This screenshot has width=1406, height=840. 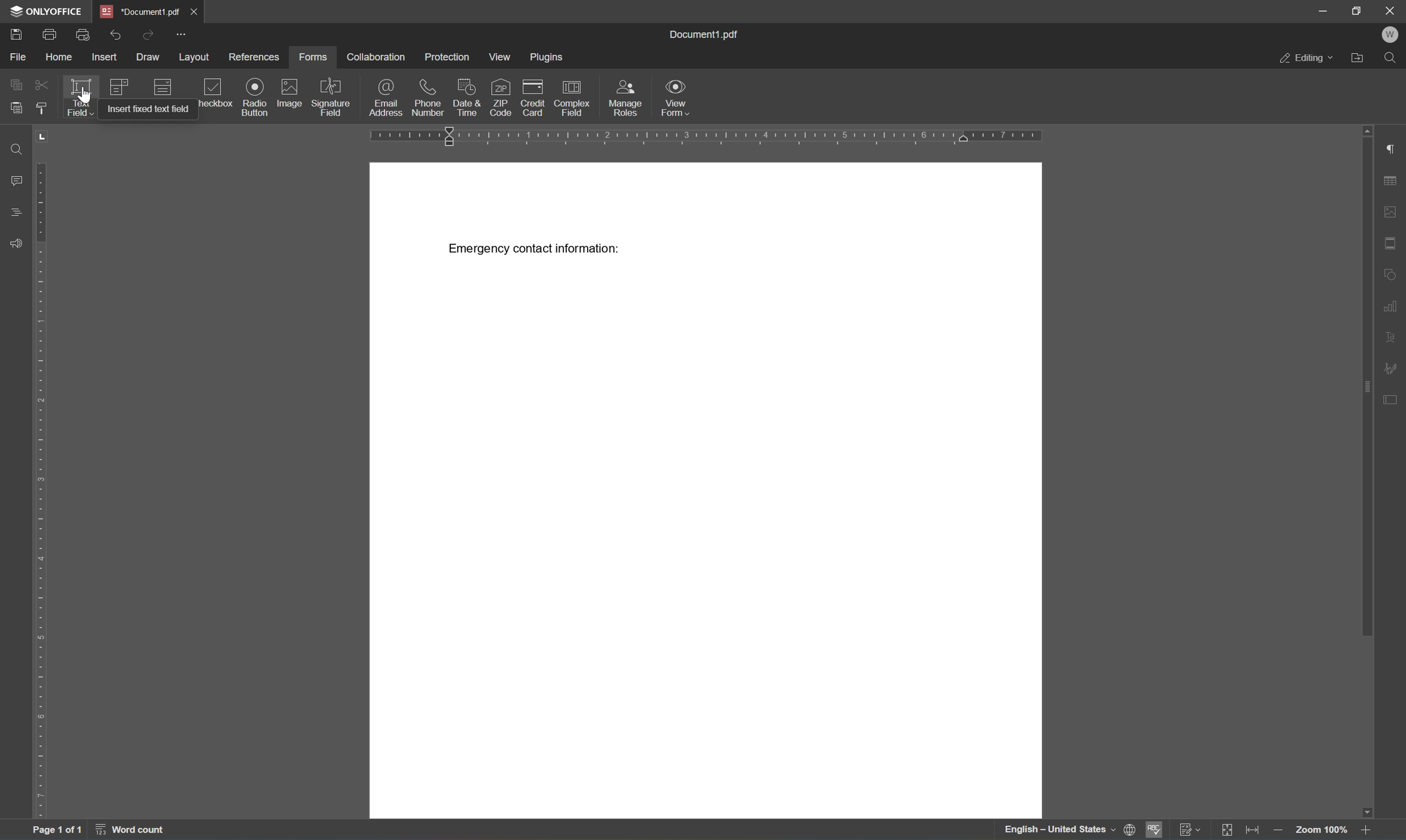 What do you see at coordinates (1041, 826) in the screenshot?
I see `english - united states` at bounding box center [1041, 826].